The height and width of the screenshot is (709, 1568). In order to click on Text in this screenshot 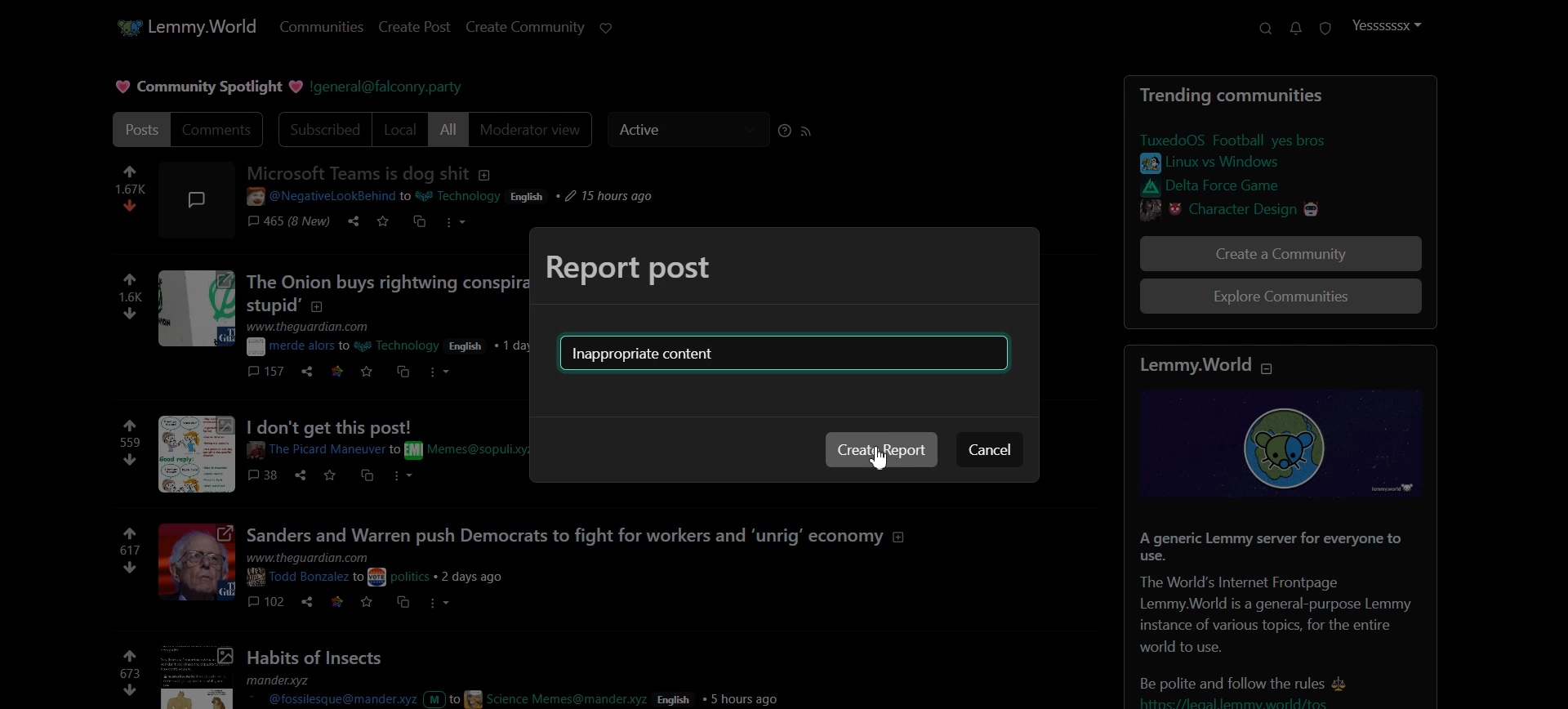, I will do `click(1279, 96)`.